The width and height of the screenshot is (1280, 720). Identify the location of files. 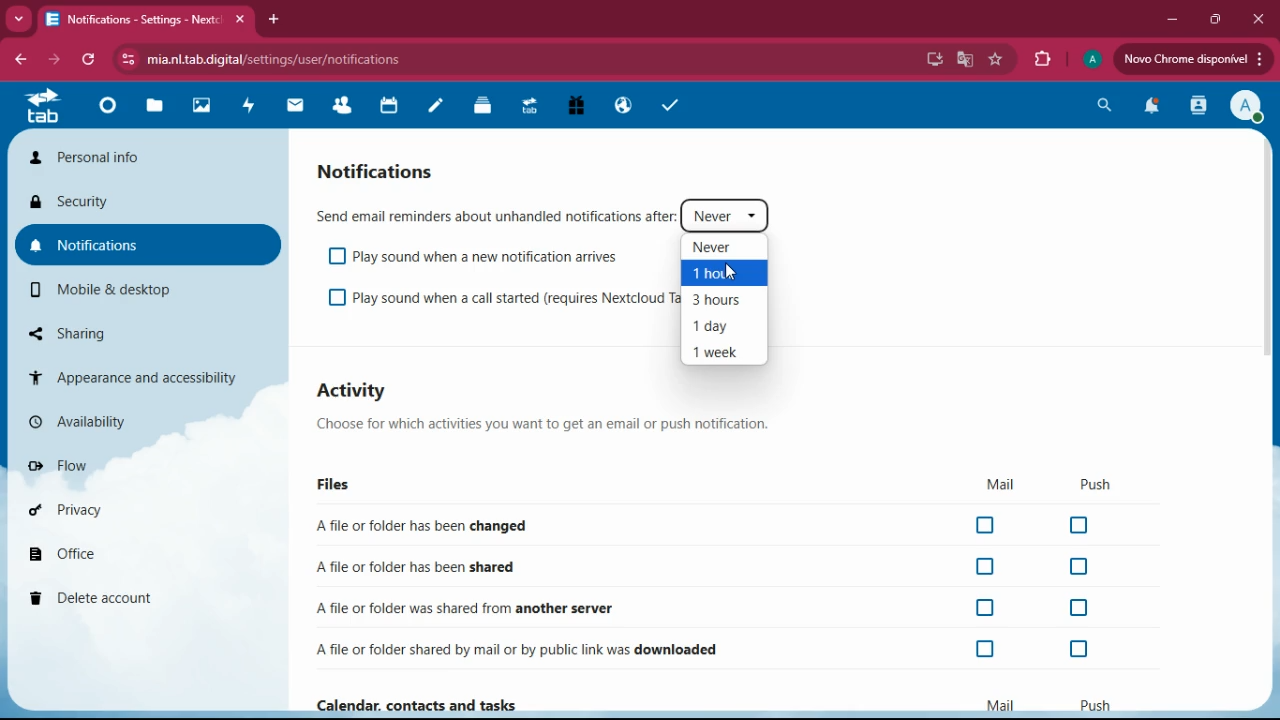
(154, 108).